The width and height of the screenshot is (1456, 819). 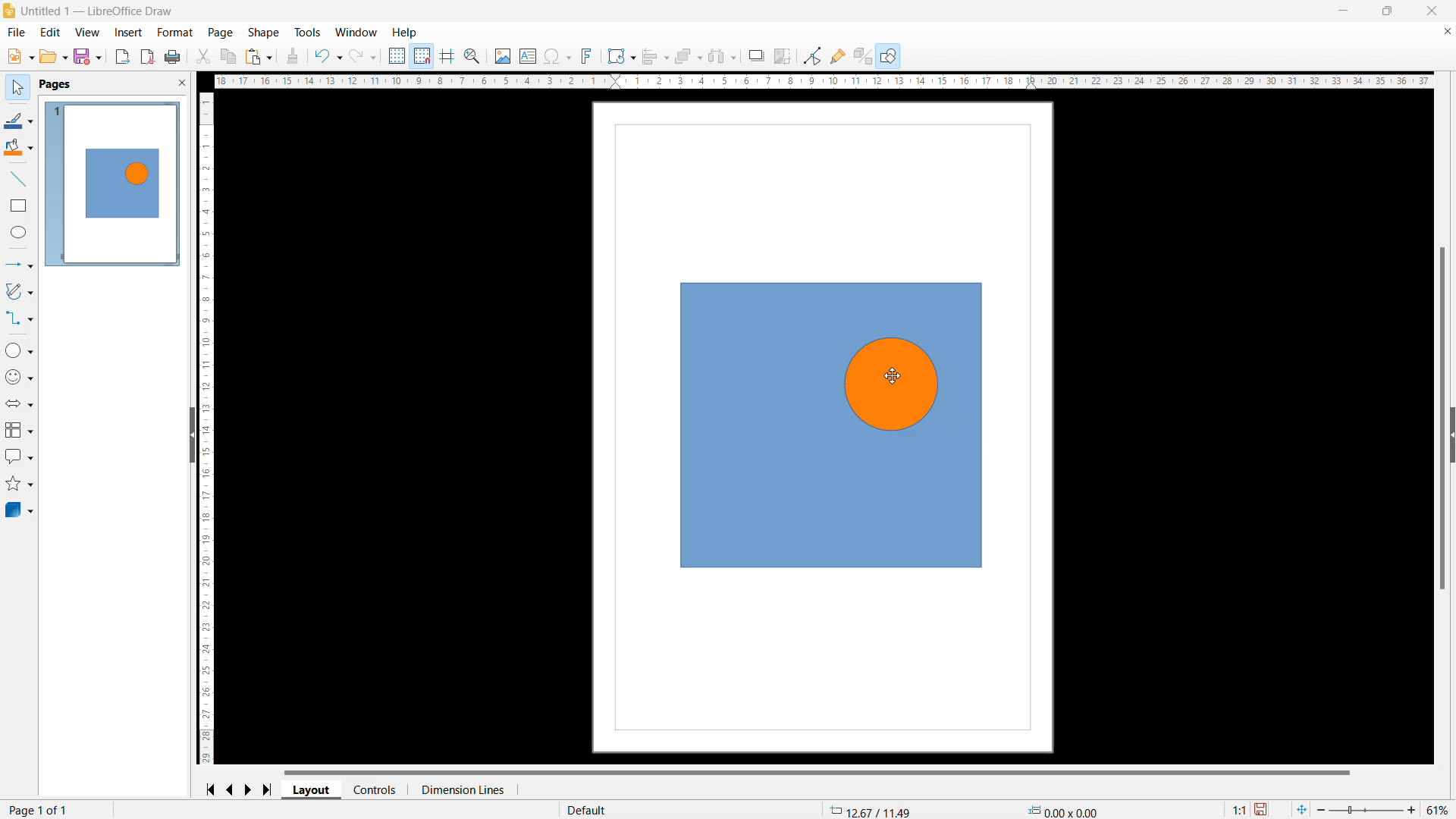 What do you see at coordinates (19, 350) in the screenshot?
I see `basic shapes` at bounding box center [19, 350].